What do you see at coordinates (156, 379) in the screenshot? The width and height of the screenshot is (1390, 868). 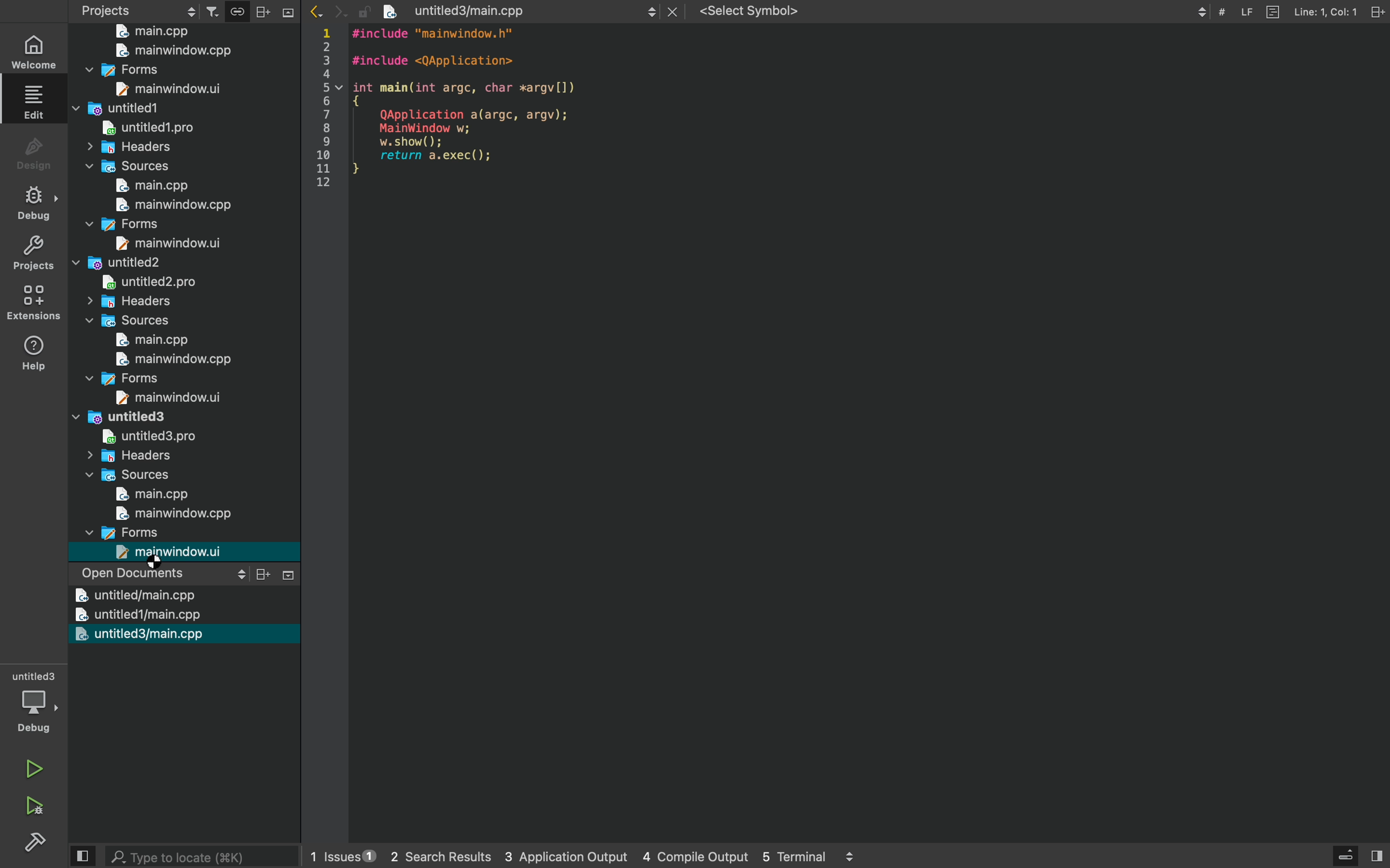 I see `mainwindow` at bounding box center [156, 379].